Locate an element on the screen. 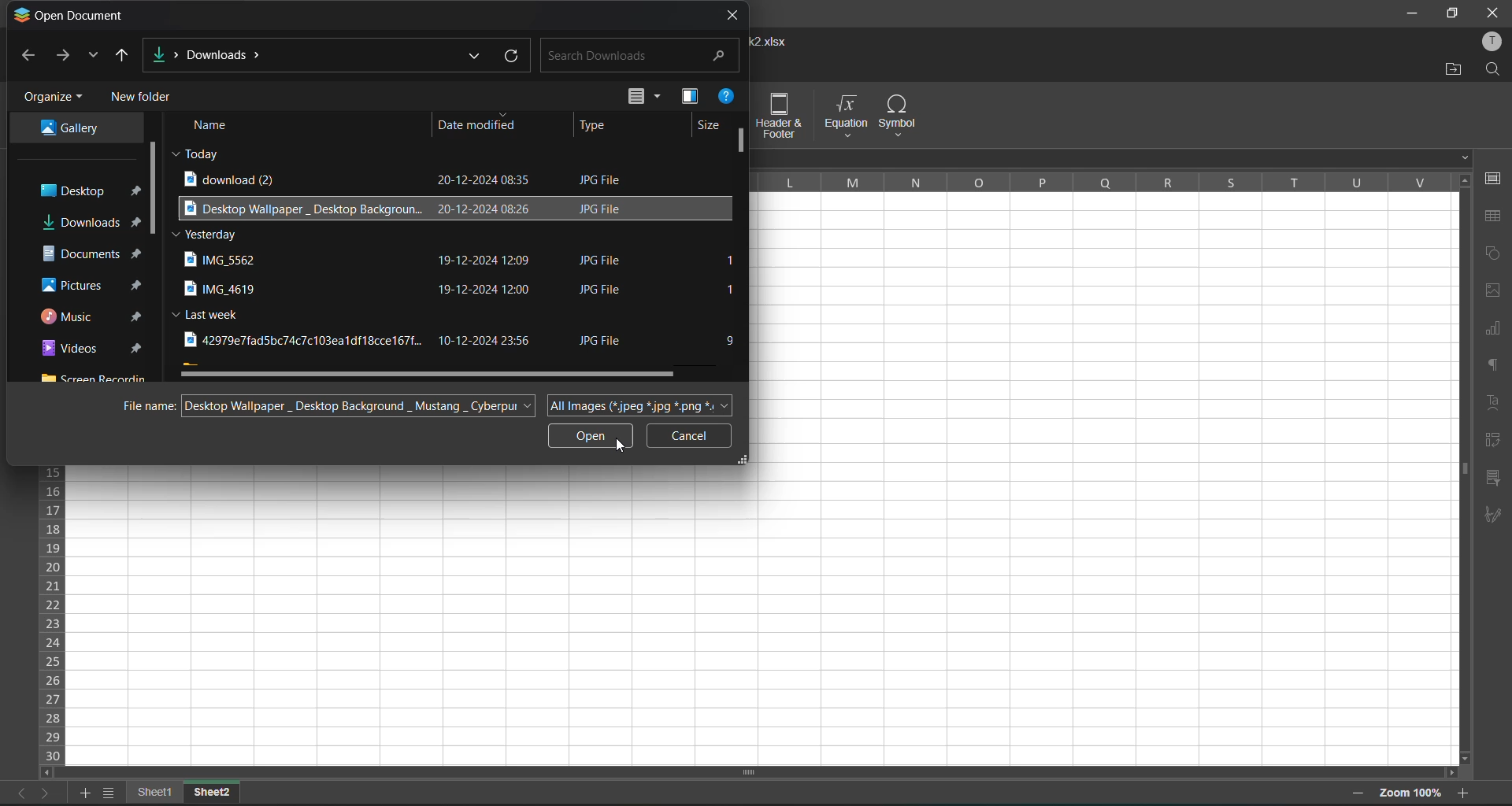 The image size is (1512, 806). videos is located at coordinates (87, 348).